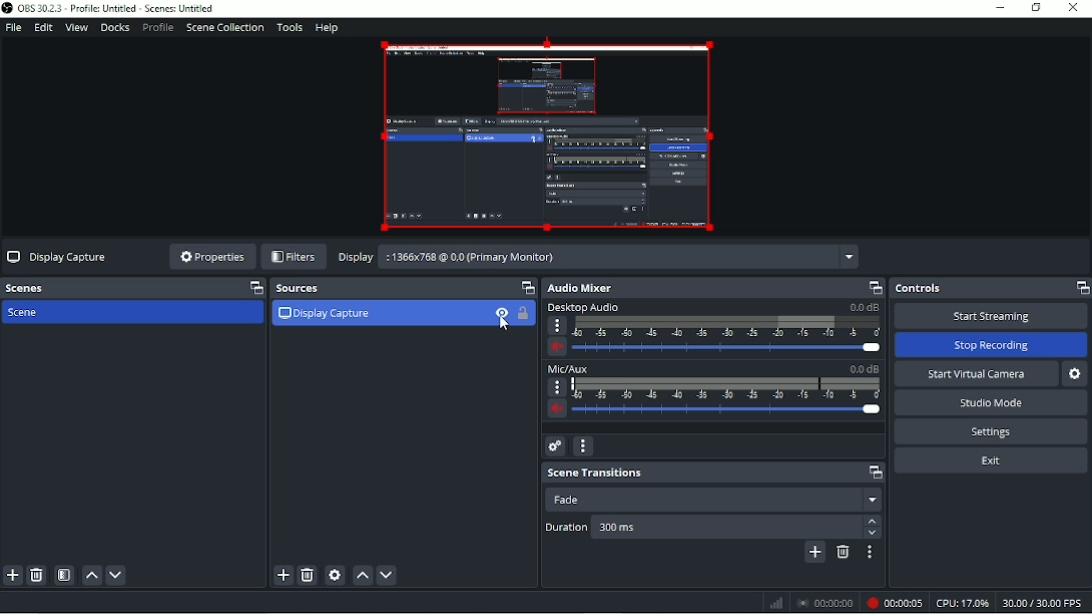  Describe the element at coordinates (406, 288) in the screenshot. I see `Sources` at that location.